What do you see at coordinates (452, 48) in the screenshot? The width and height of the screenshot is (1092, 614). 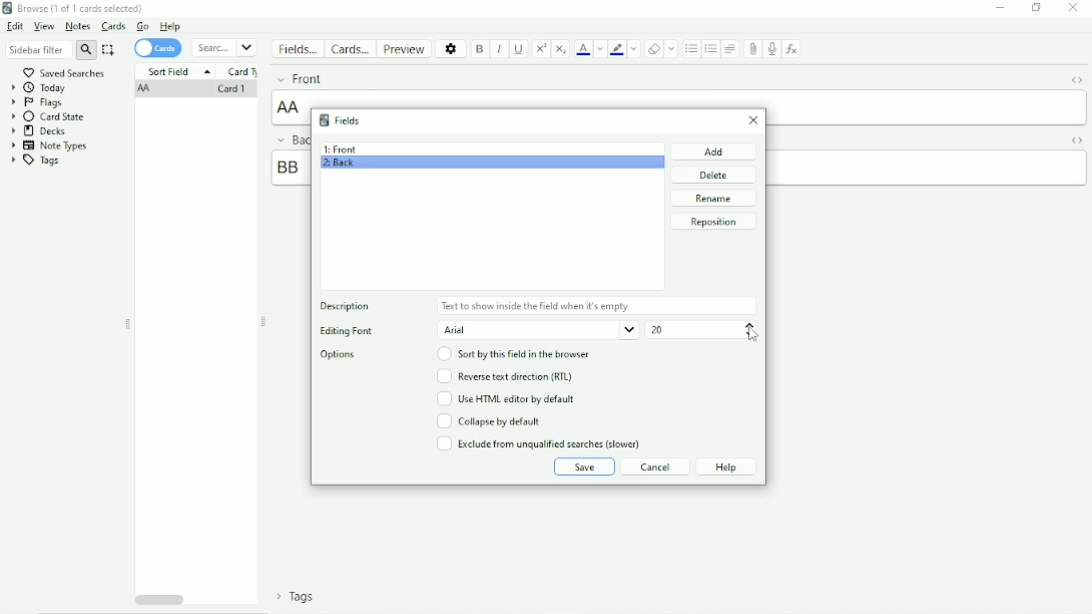 I see `Options` at bounding box center [452, 48].